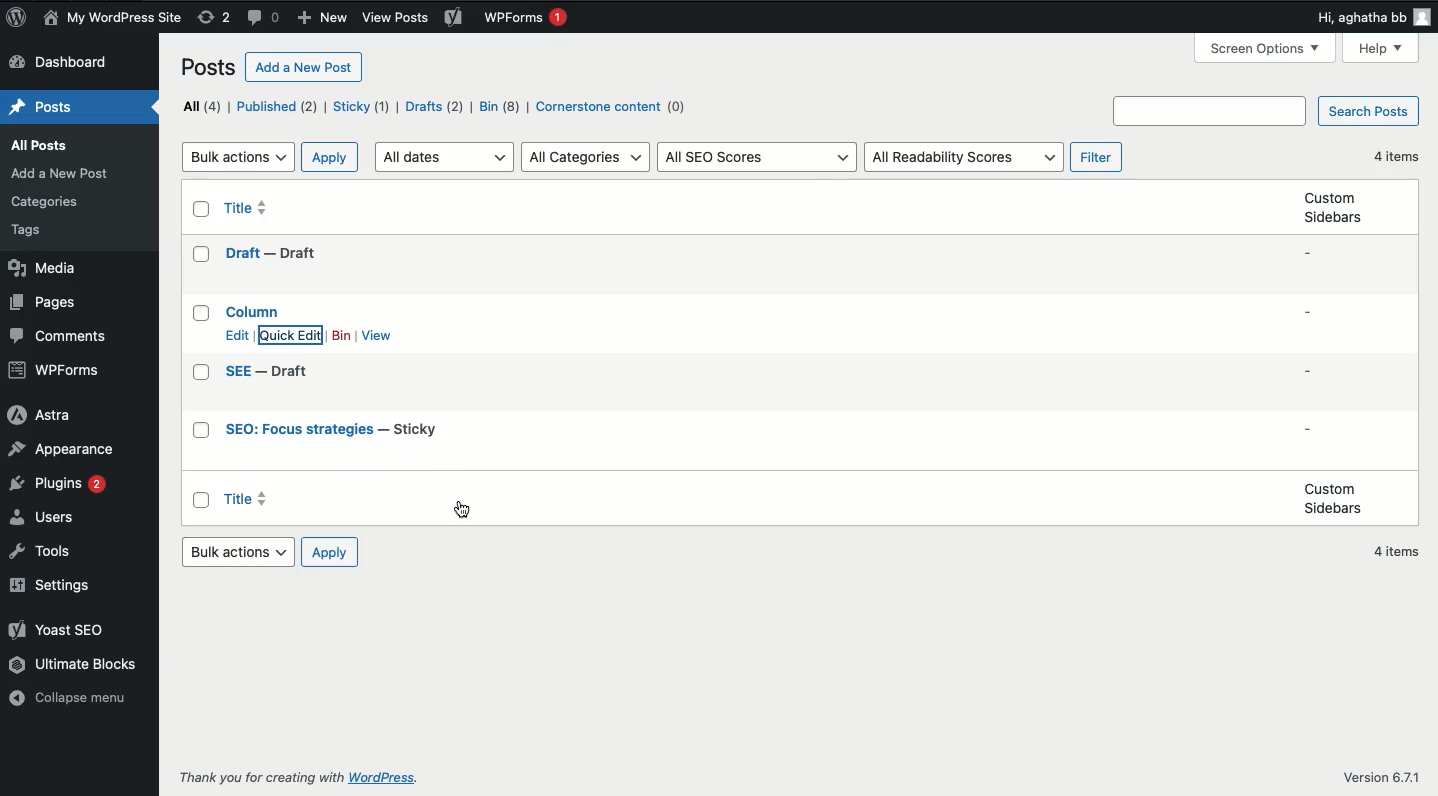 The width and height of the screenshot is (1438, 796). Describe the element at coordinates (1399, 158) in the screenshot. I see `4 items` at that location.